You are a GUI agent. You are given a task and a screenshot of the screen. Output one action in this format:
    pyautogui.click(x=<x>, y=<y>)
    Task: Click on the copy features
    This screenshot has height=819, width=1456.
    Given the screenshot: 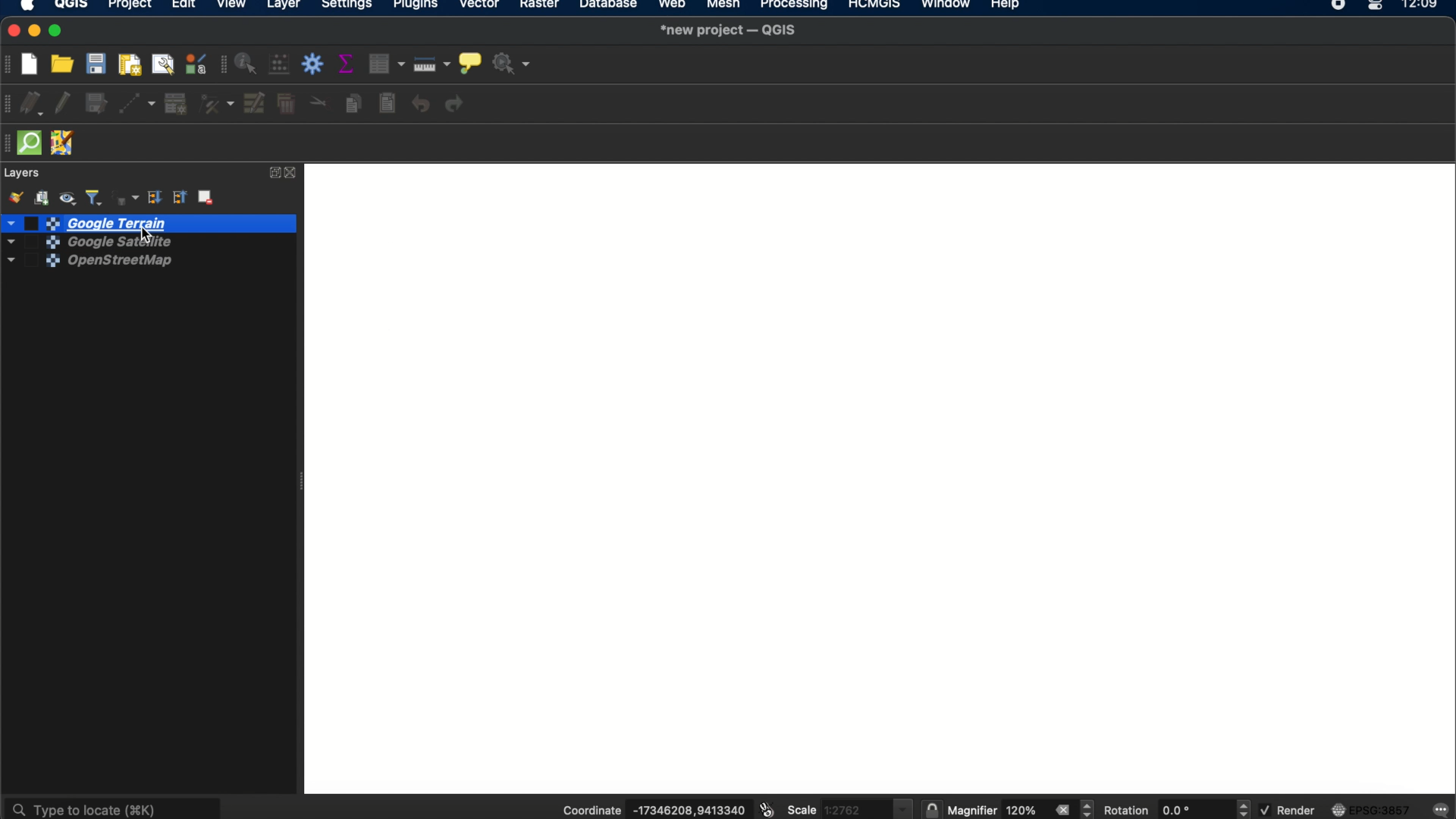 What is the action you would take?
    pyautogui.click(x=353, y=103)
    